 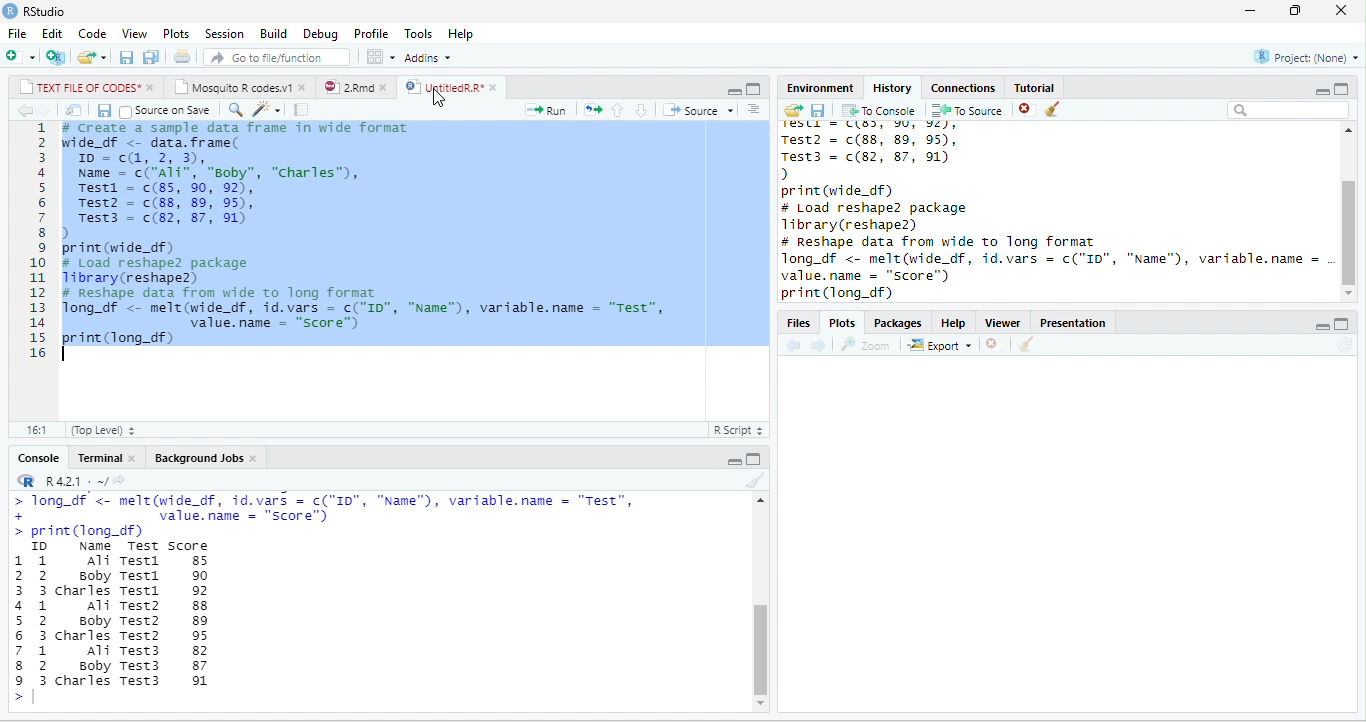 I want to click on Presentation, so click(x=1072, y=323).